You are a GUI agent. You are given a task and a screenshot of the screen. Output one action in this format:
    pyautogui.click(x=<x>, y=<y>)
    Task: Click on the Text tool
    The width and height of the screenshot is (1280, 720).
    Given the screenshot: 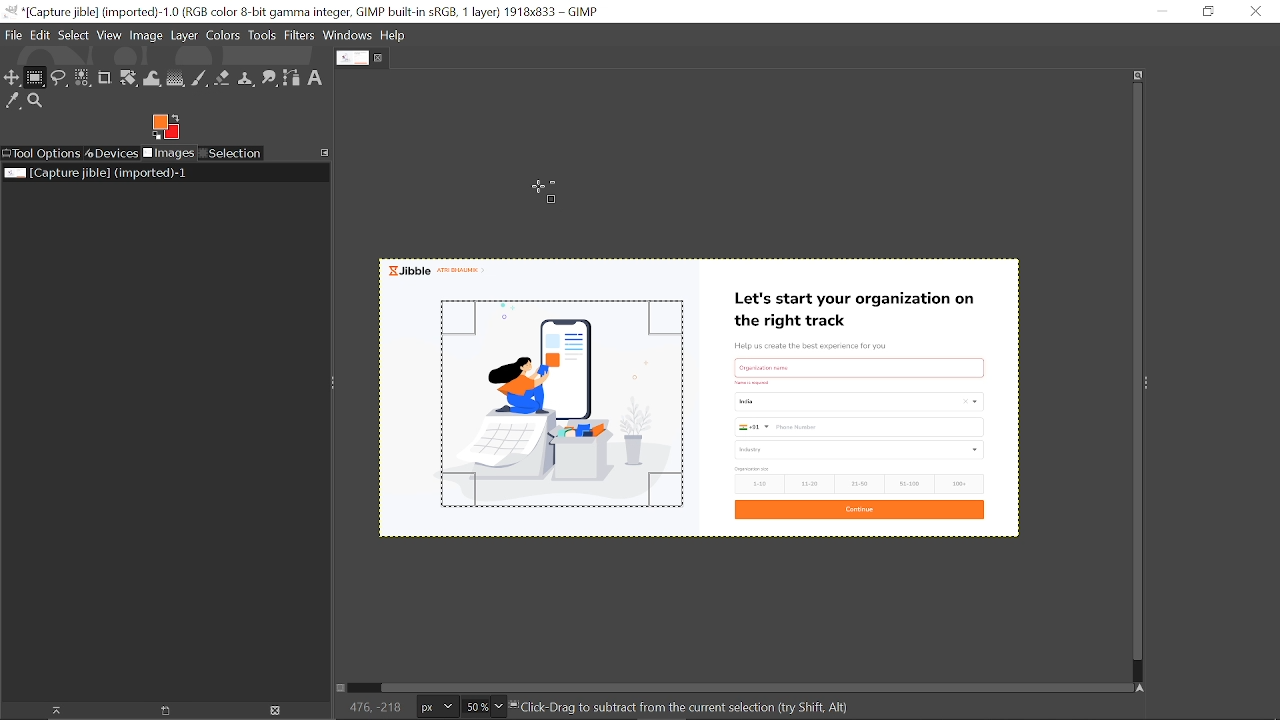 What is the action you would take?
    pyautogui.click(x=316, y=77)
    